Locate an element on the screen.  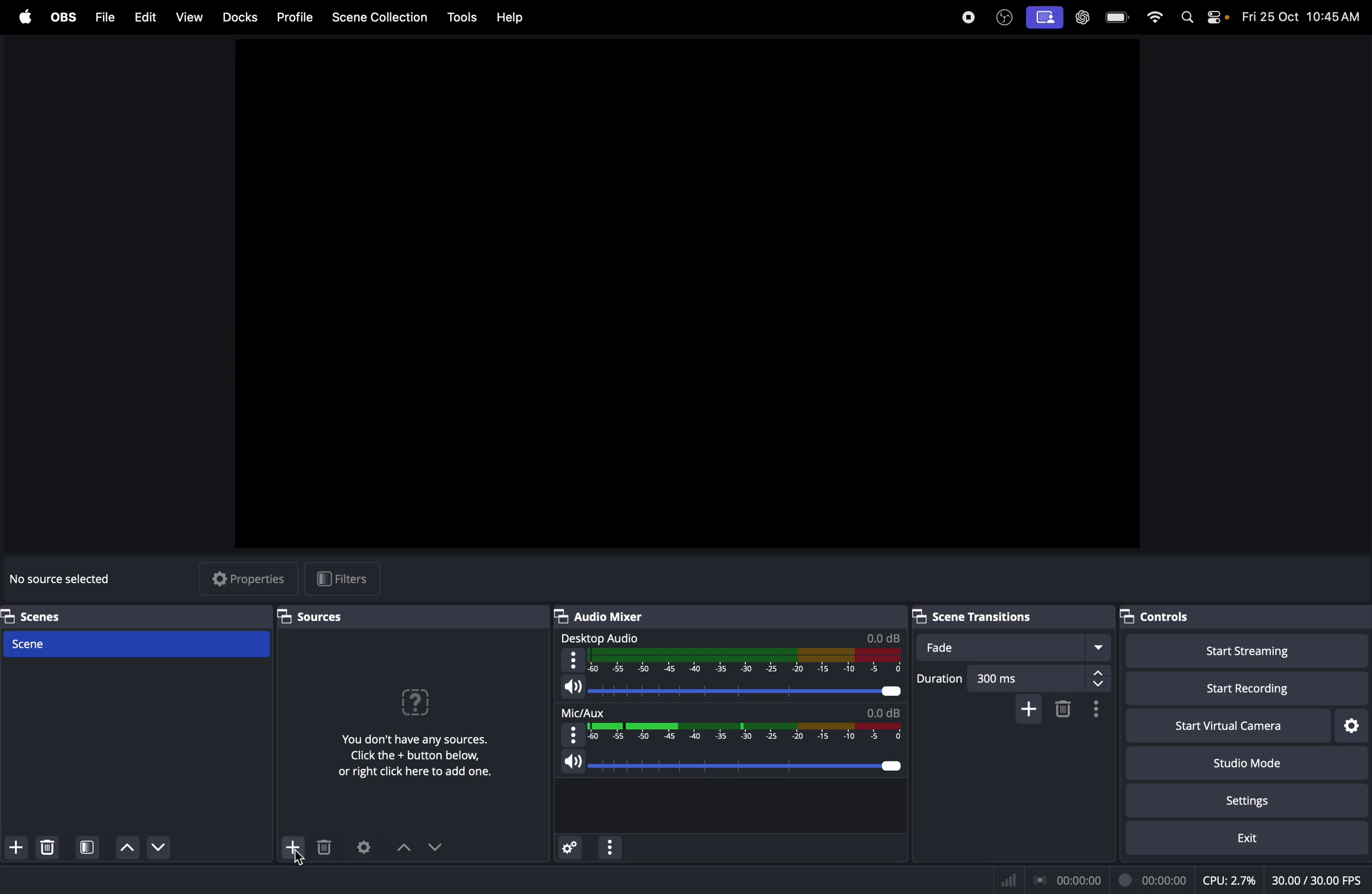
spotlight search is located at coordinates (1185, 18).